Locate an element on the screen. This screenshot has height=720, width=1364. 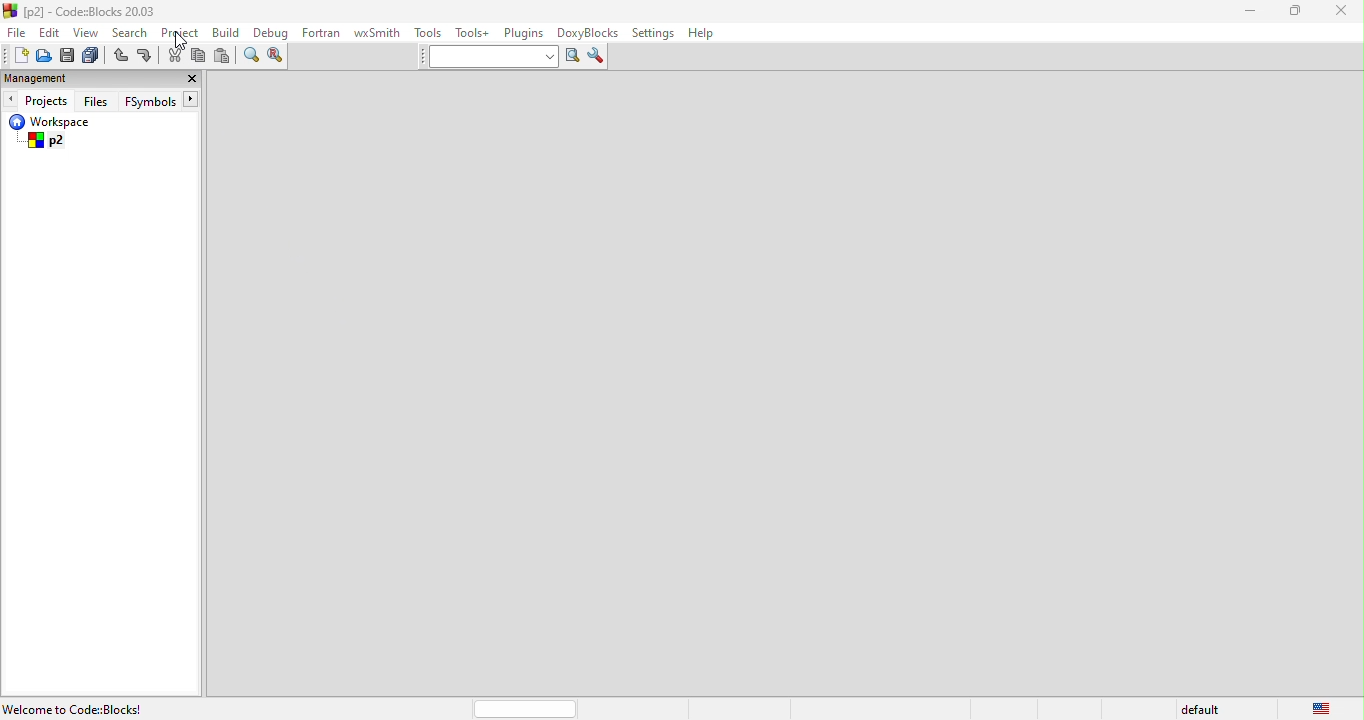
plugins is located at coordinates (525, 34).